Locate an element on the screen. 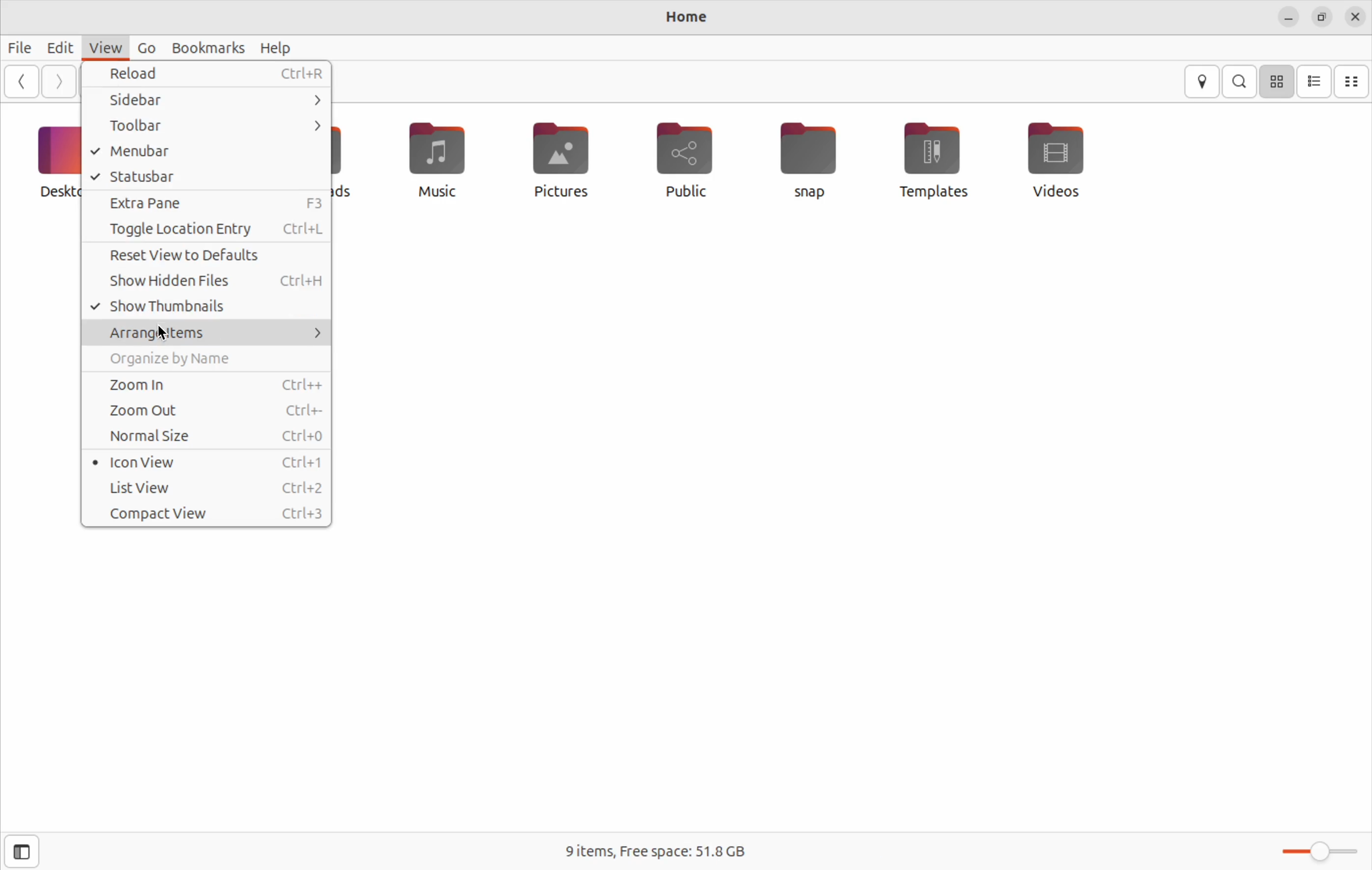 Image resolution: width=1372 pixels, height=870 pixels. Cursor is located at coordinates (165, 334).